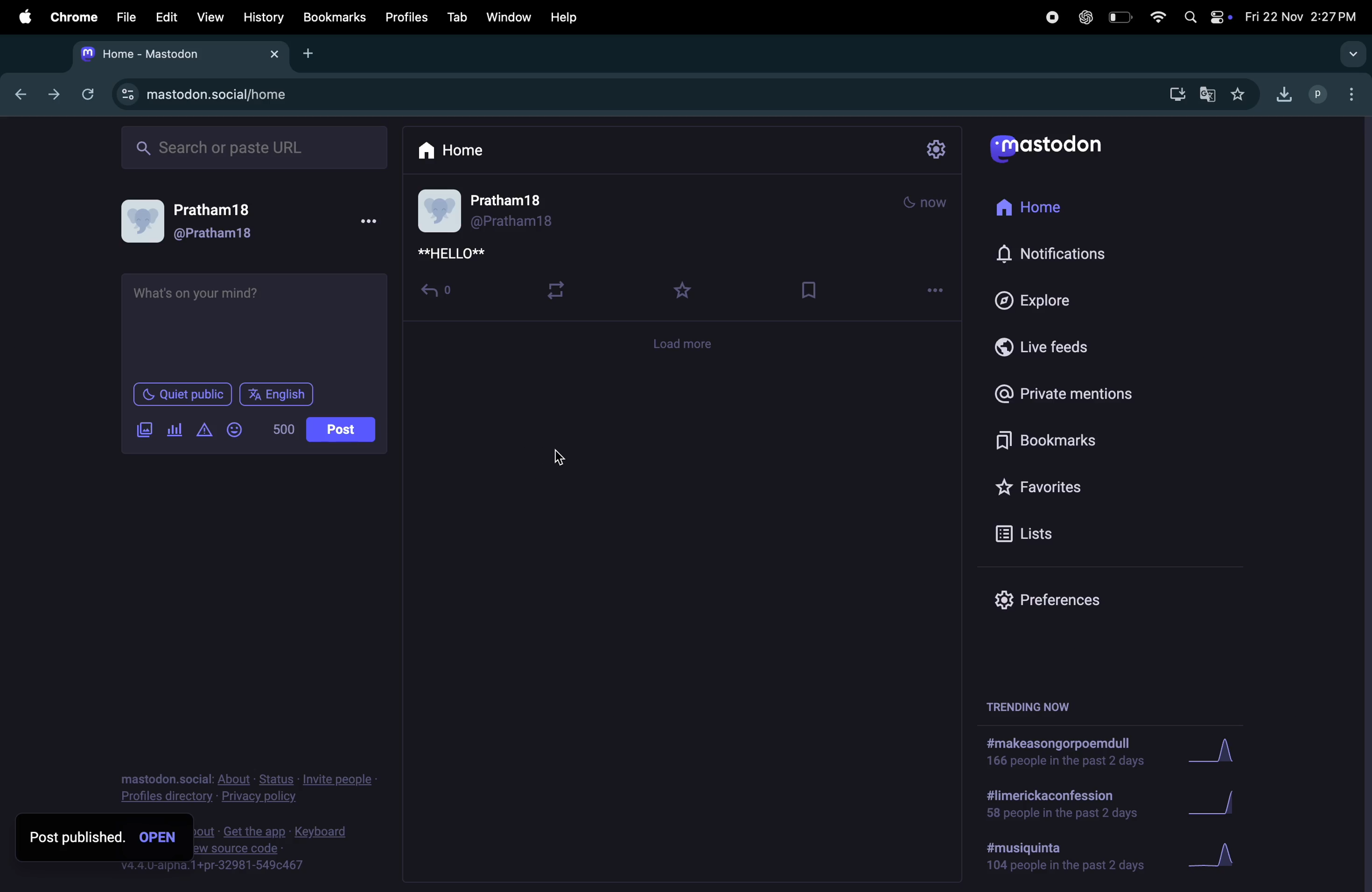 The width and height of the screenshot is (1372, 892). Describe the element at coordinates (342, 429) in the screenshot. I see `posts` at that location.